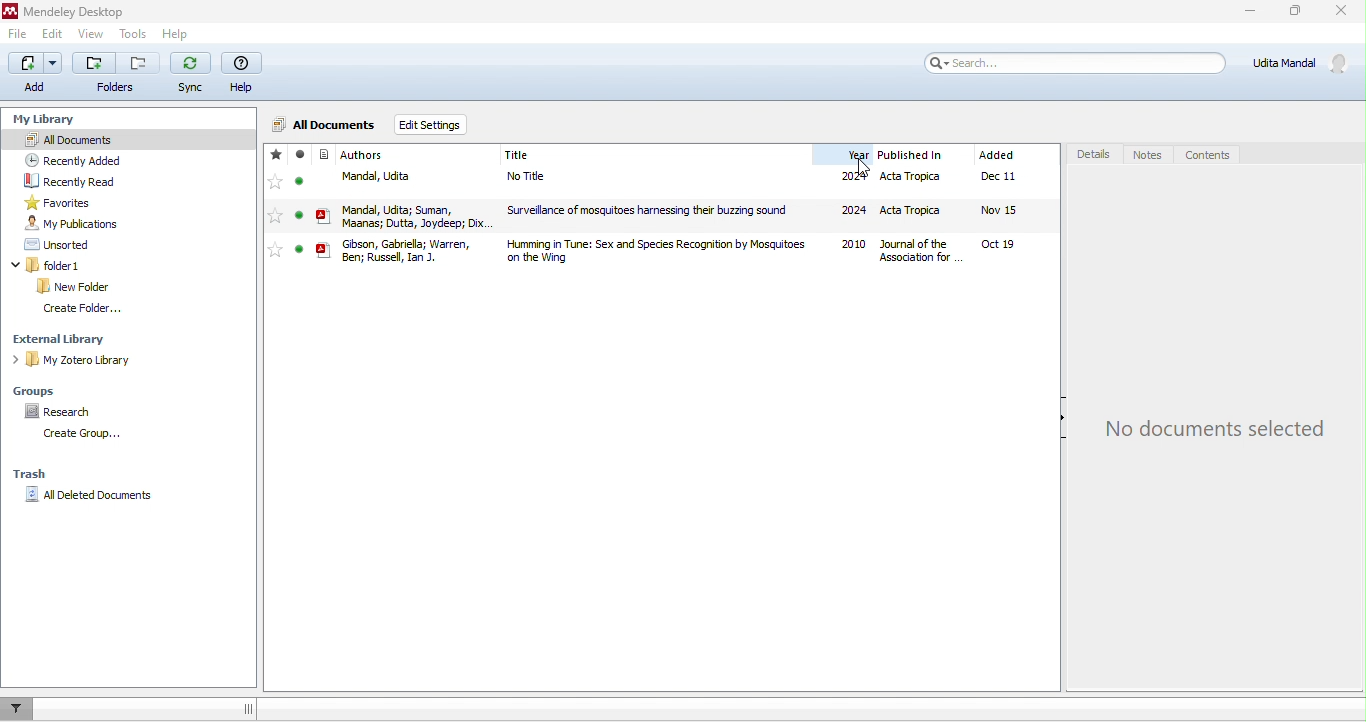 This screenshot has height=722, width=1366. What do you see at coordinates (1147, 155) in the screenshot?
I see `notes` at bounding box center [1147, 155].